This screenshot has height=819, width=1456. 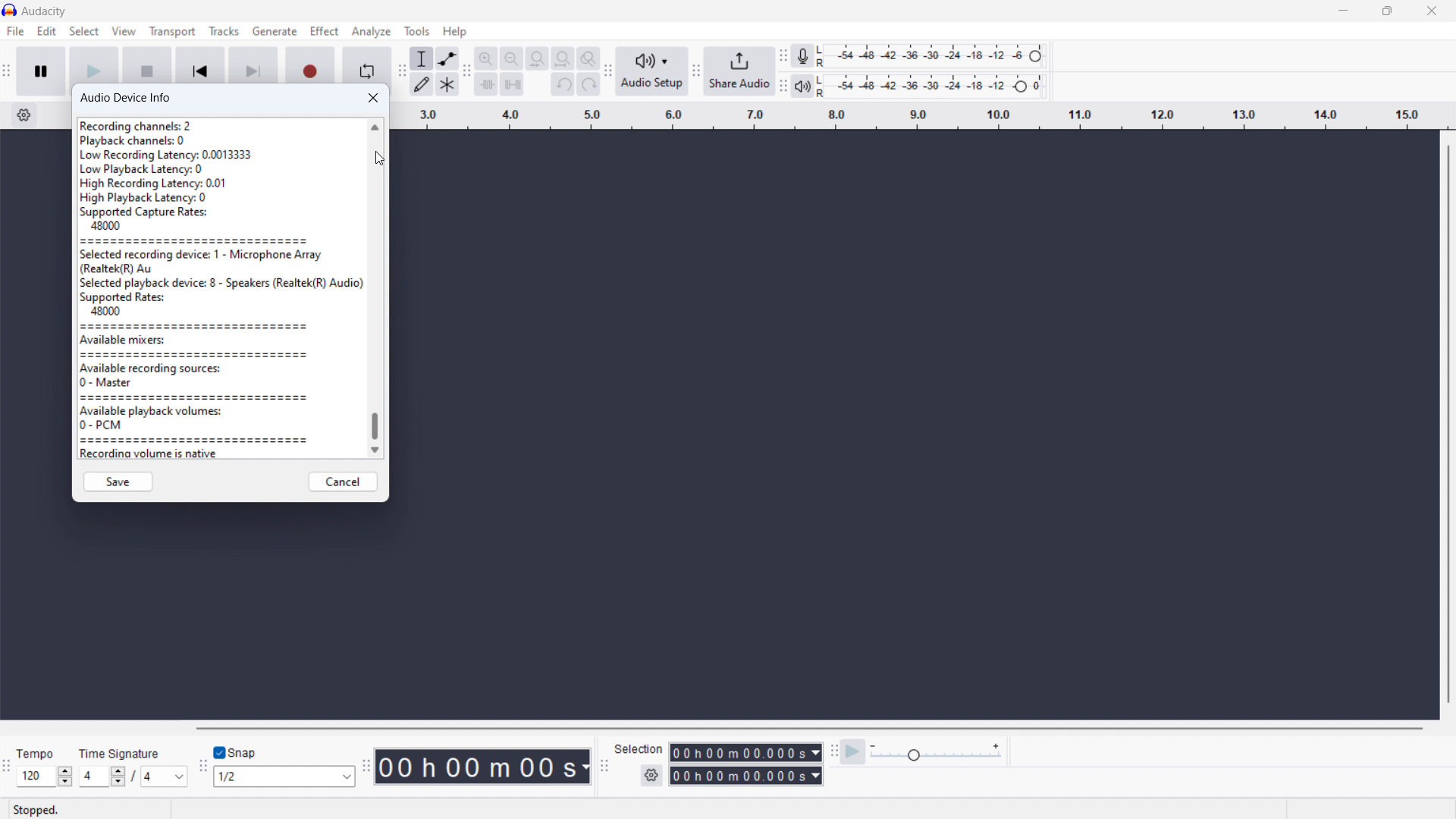 I want to click on envelop tool, so click(x=448, y=59).